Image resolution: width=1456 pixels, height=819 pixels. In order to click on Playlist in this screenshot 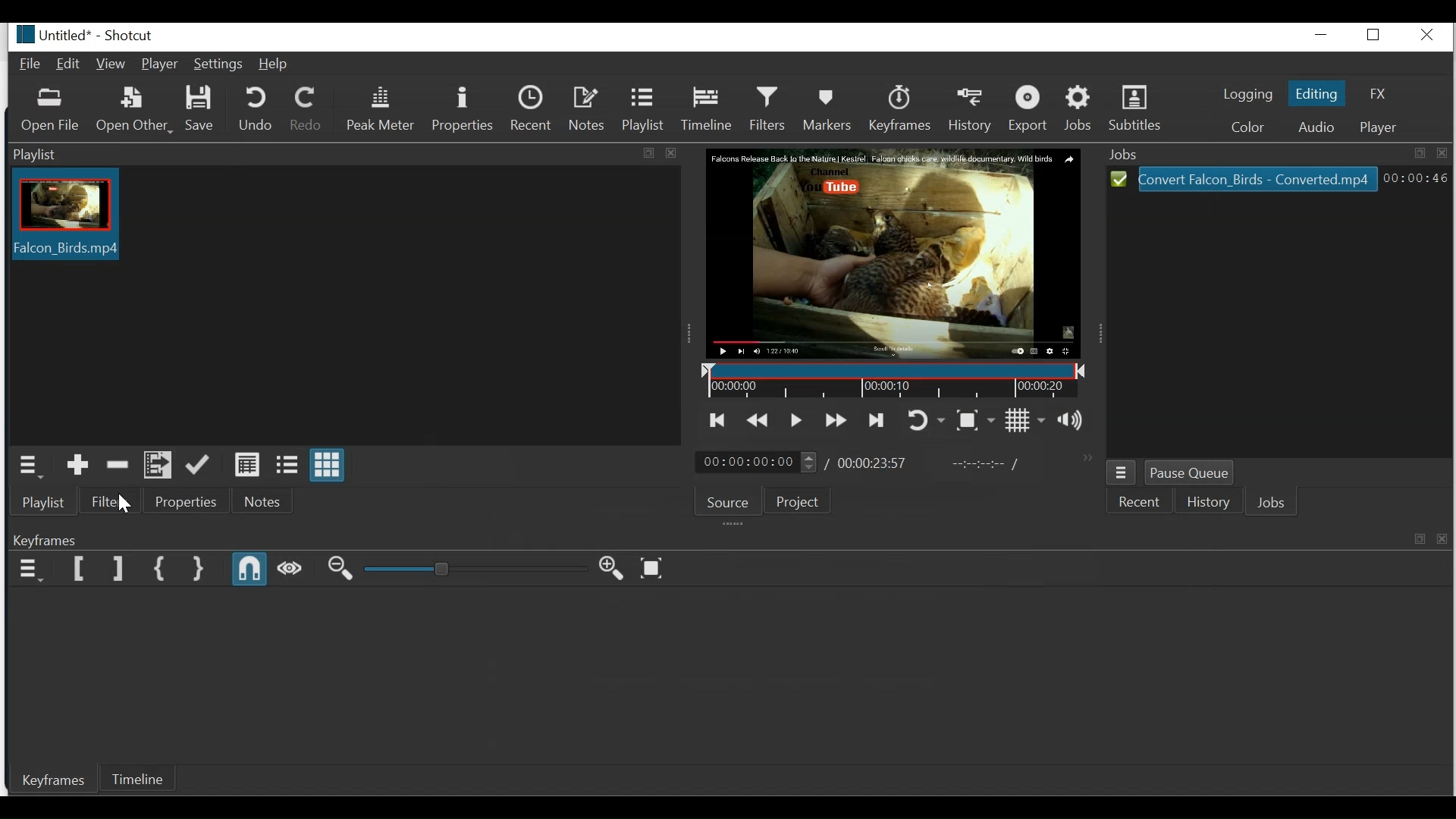, I will do `click(43, 503)`.